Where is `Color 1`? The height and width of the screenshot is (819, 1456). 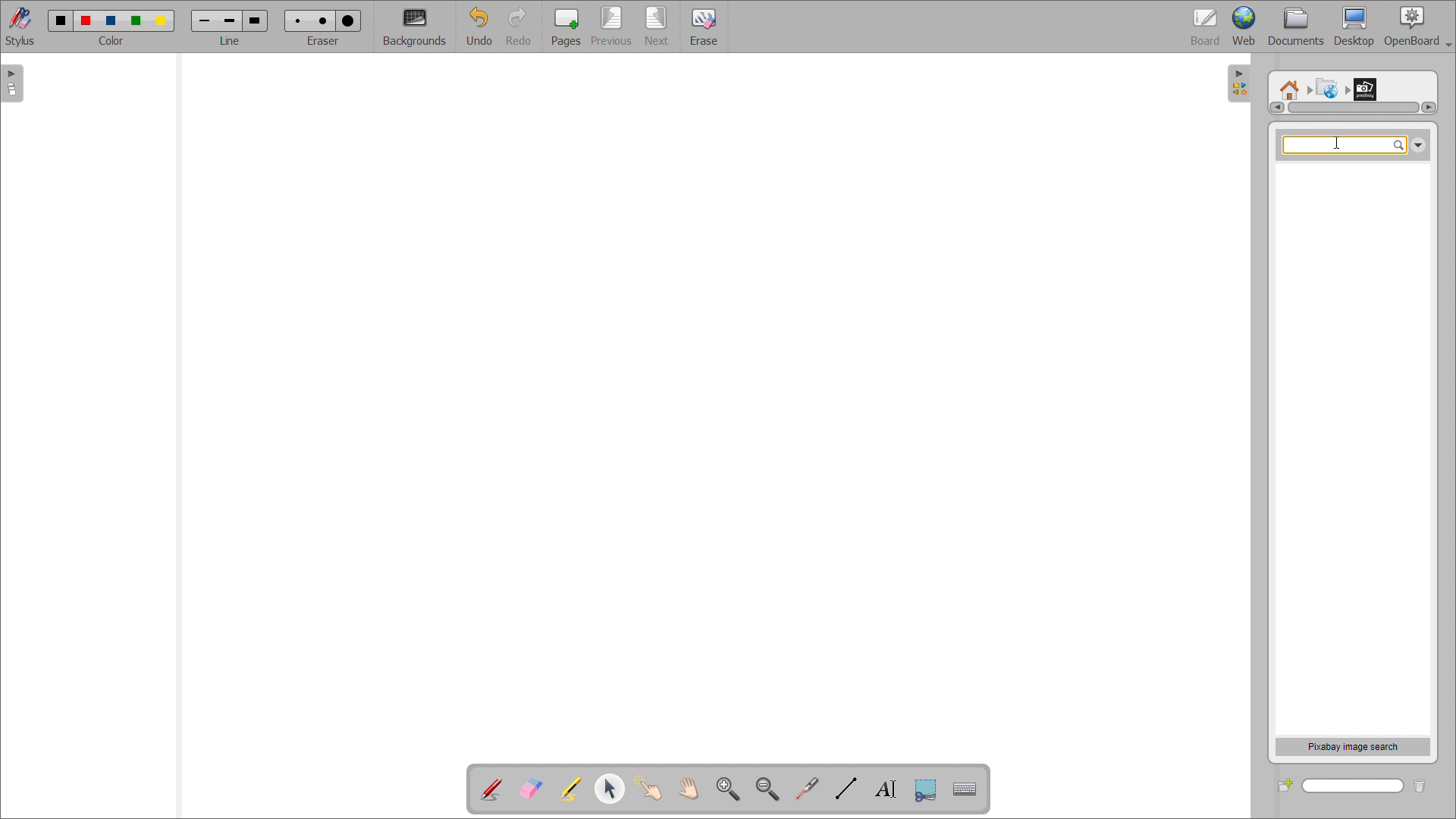 Color 1 is located at coordinates (59, 20).